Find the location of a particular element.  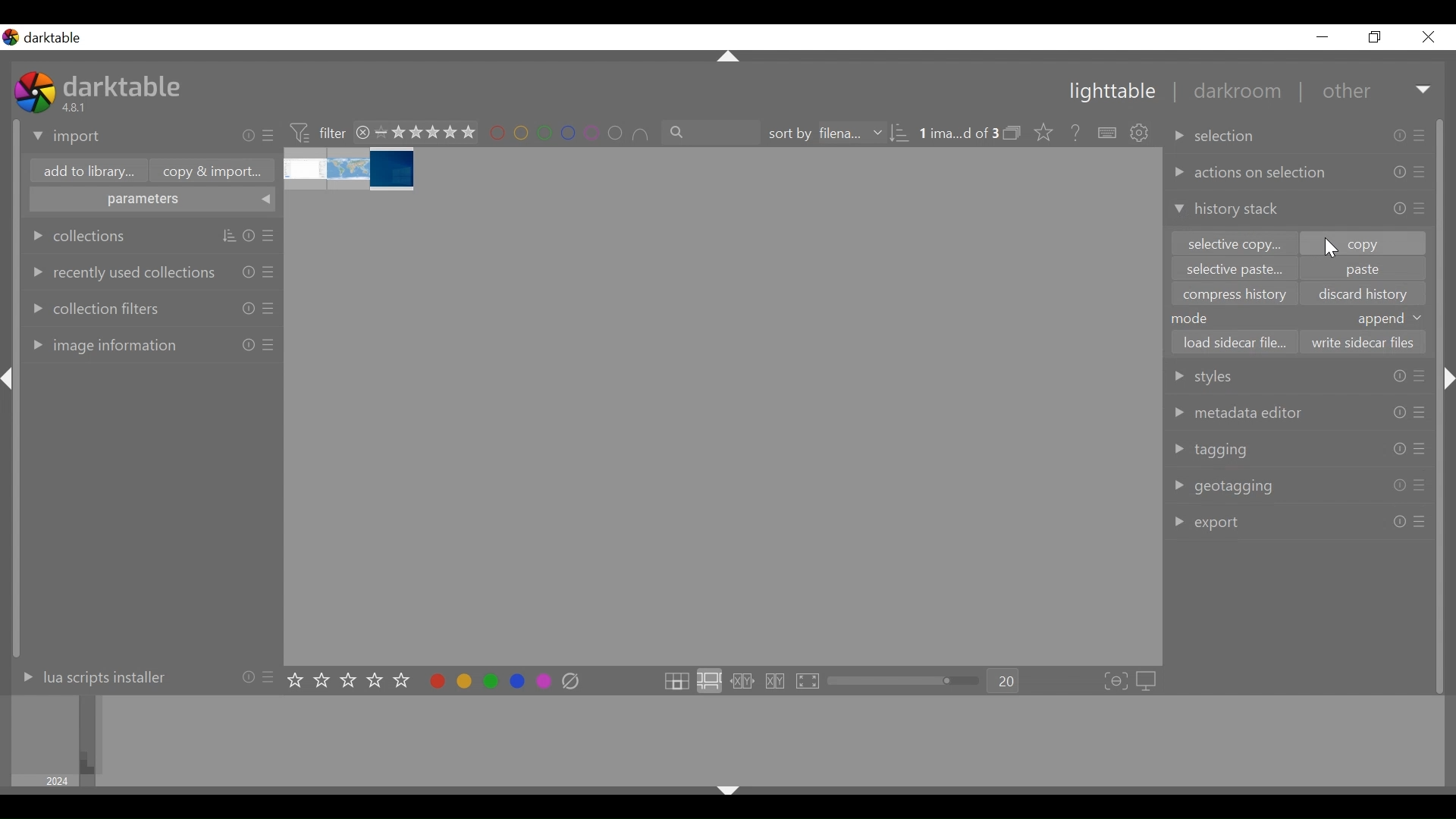

filter is located at coordinates (317, 131).